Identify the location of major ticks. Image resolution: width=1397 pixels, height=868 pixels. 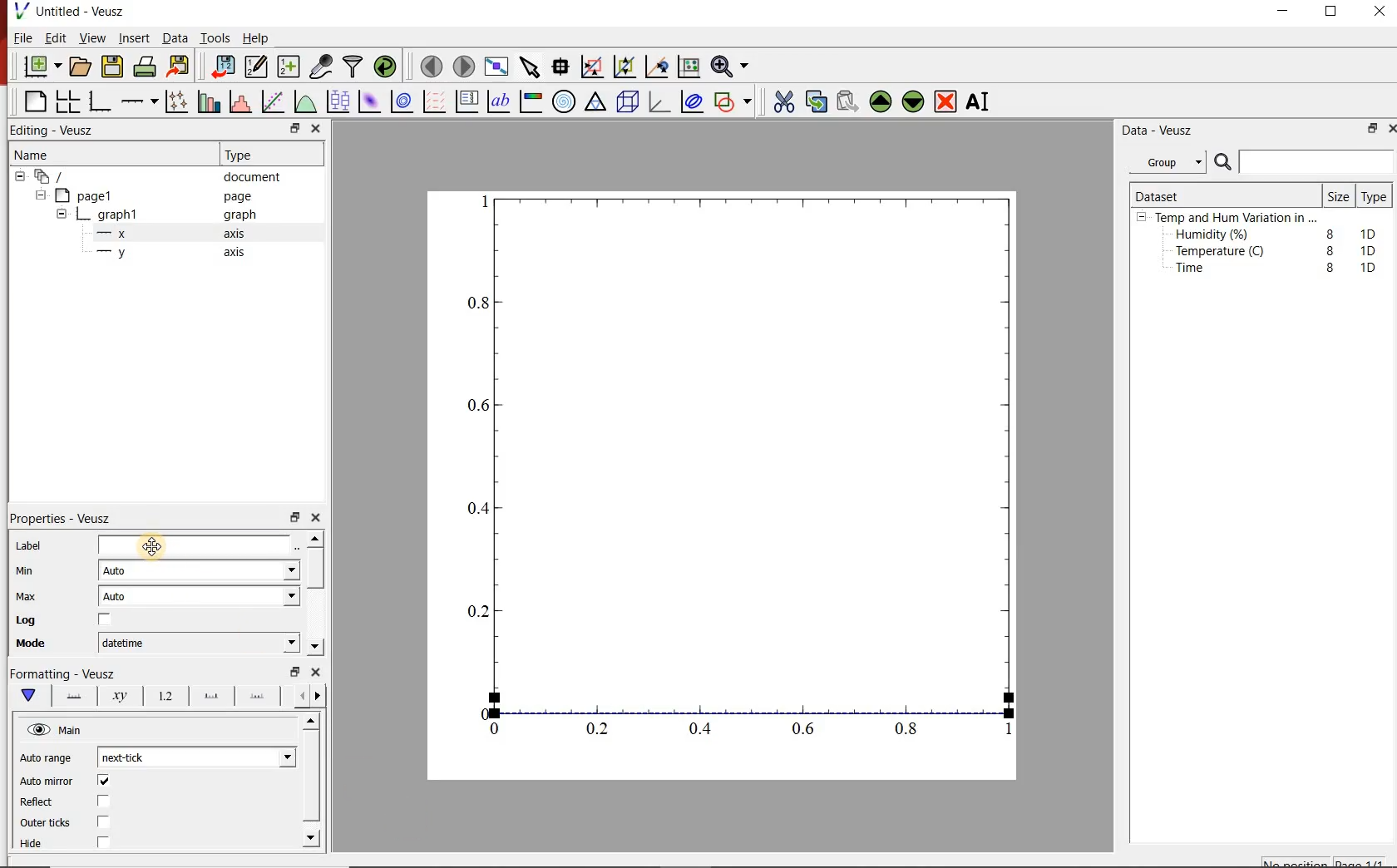
(210, 695).